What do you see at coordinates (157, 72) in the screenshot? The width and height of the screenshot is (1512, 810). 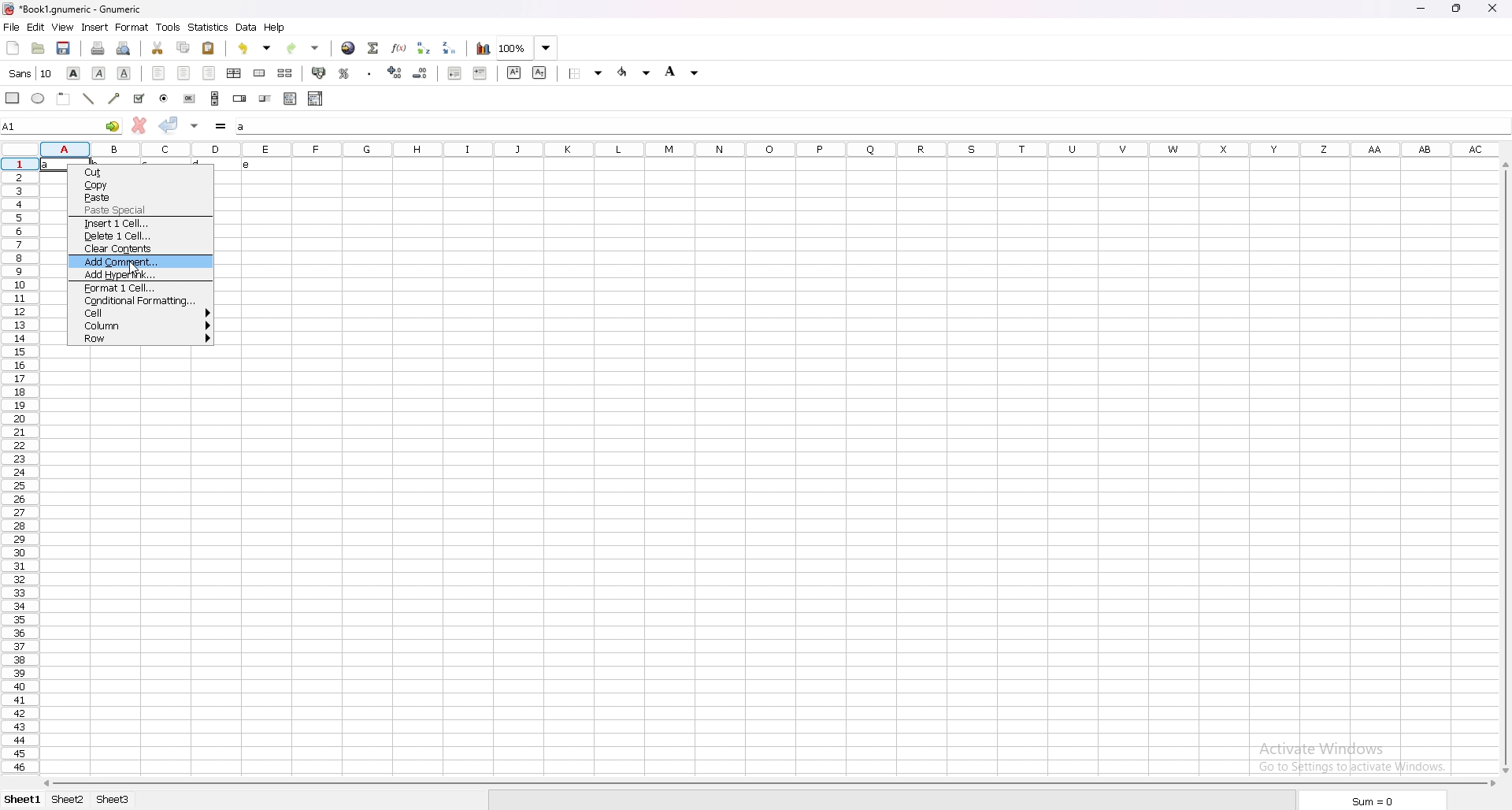 I see `left align` at bounding box center [157, 72].